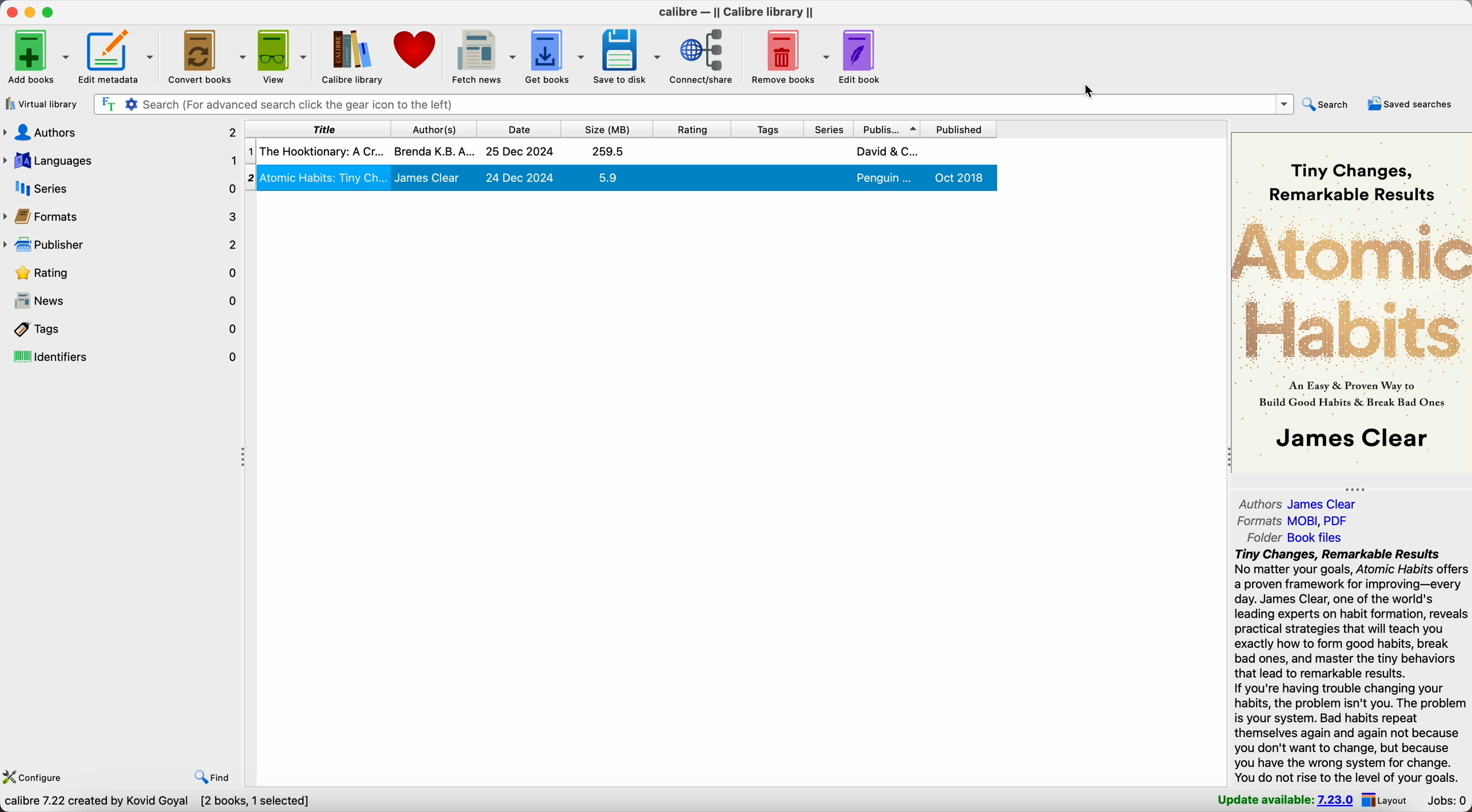  Describe the element at coordinates (890, 127) in the screenshot. I see `publisher` at that location.